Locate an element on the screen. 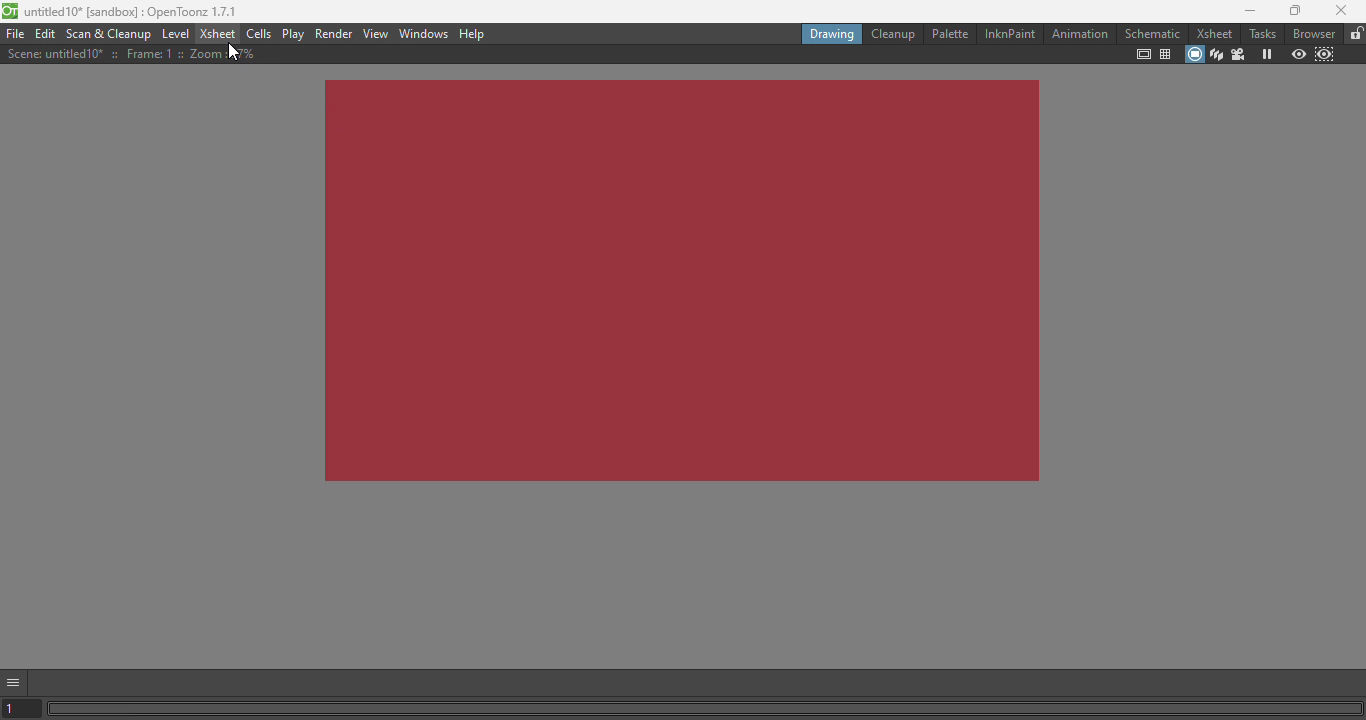 The width and height of the screenshot is (1366, 720). Cells is located at coordinates (258, 33).